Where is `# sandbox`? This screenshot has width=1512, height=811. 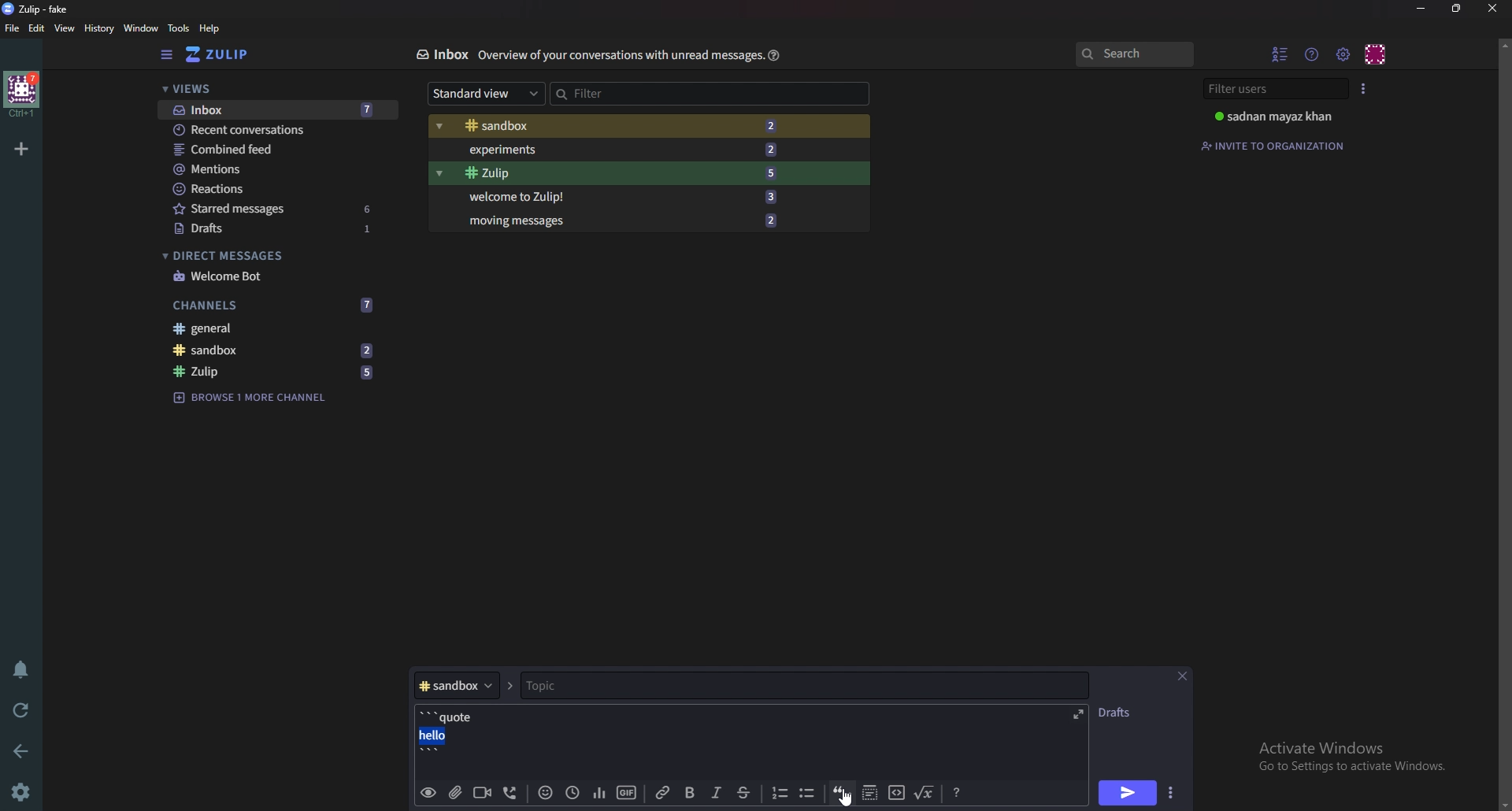
# sandbox is located at coordinates (452, 687).